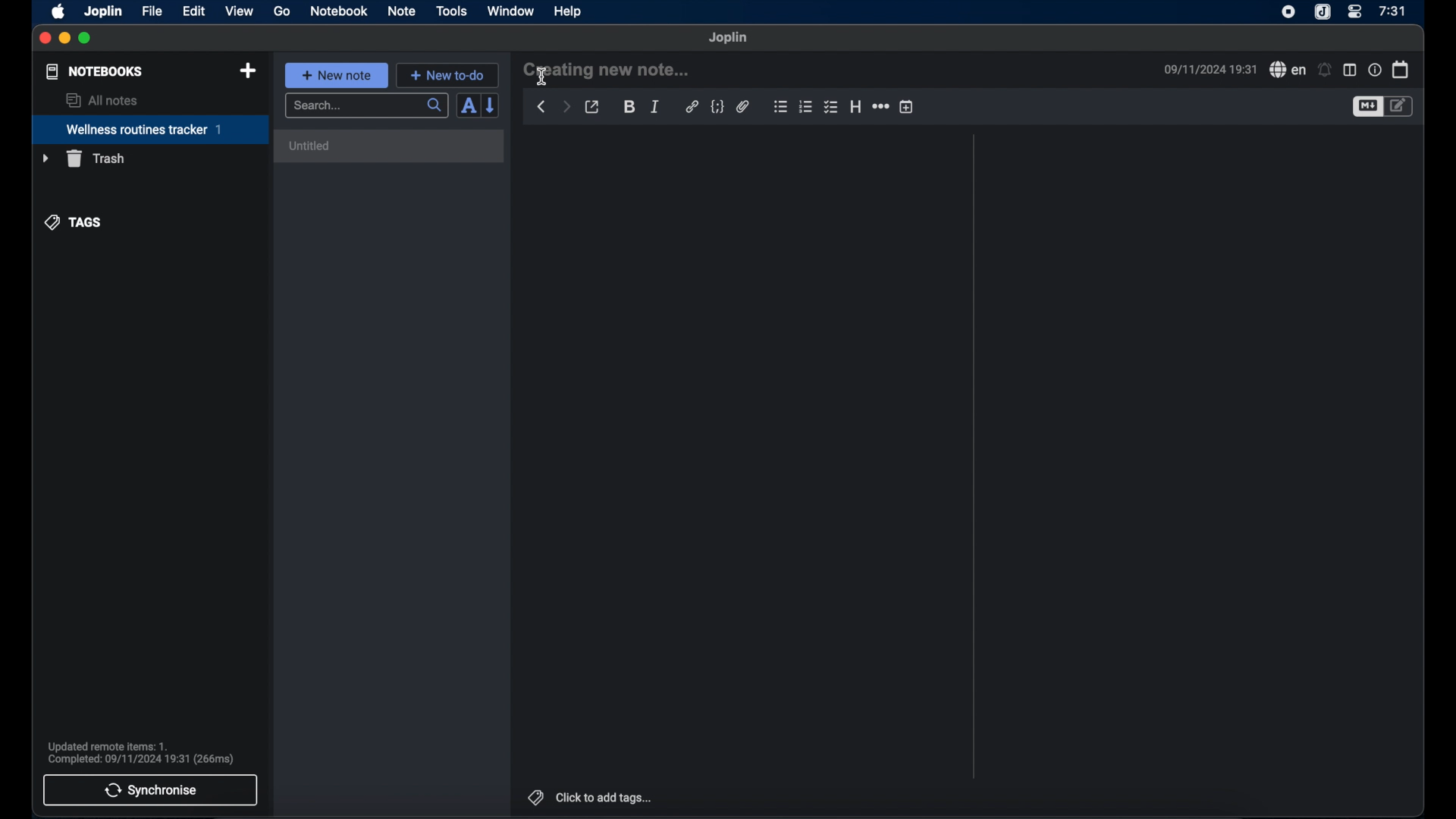 The width and height of the screenshot is (1456, 819). Describe the element at coordinates (151, 790) in the screenshot. I see `synchronise` at that location.